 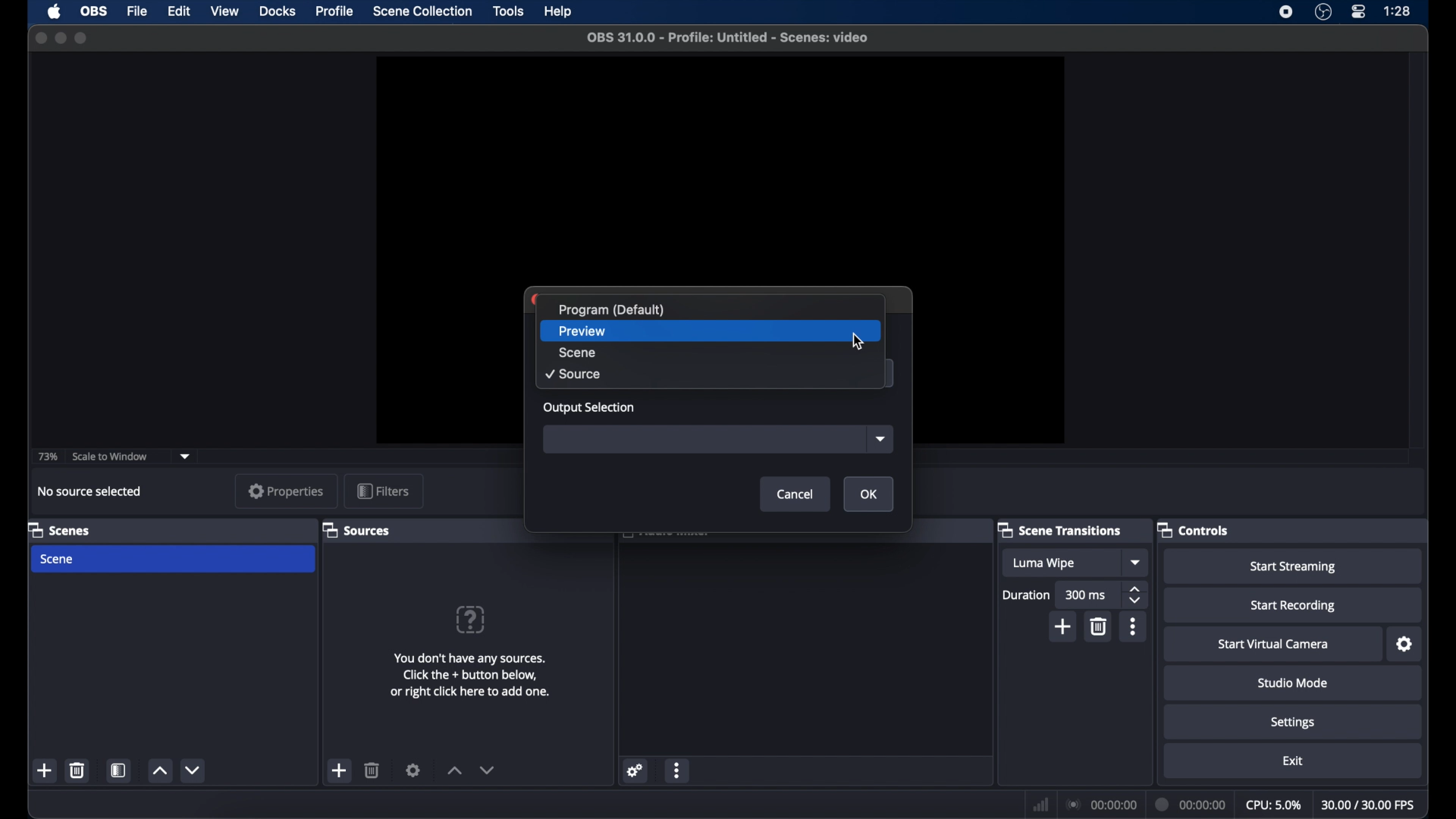 I want to click on properties, so click(x=286, y=491).